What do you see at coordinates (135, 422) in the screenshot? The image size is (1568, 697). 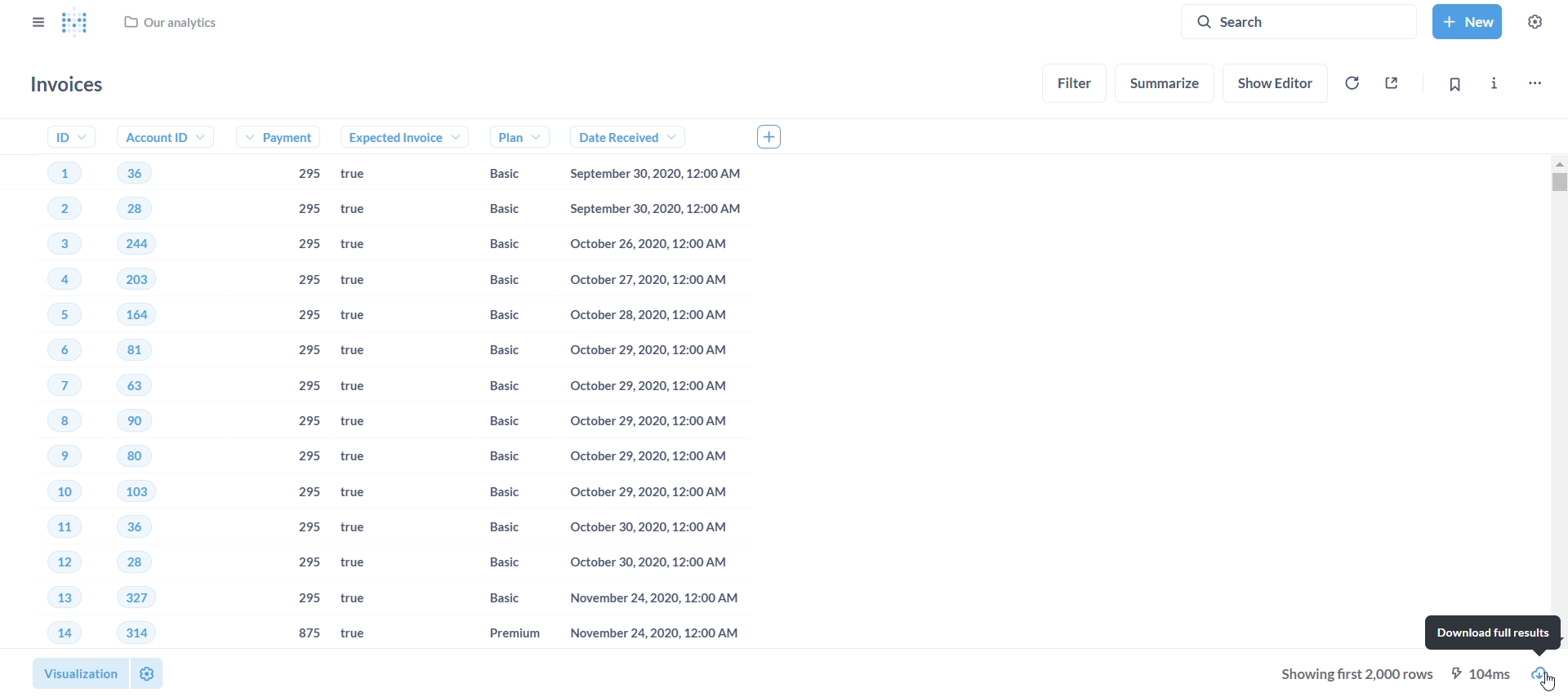 I see `90` at bounding box center [135, 422].